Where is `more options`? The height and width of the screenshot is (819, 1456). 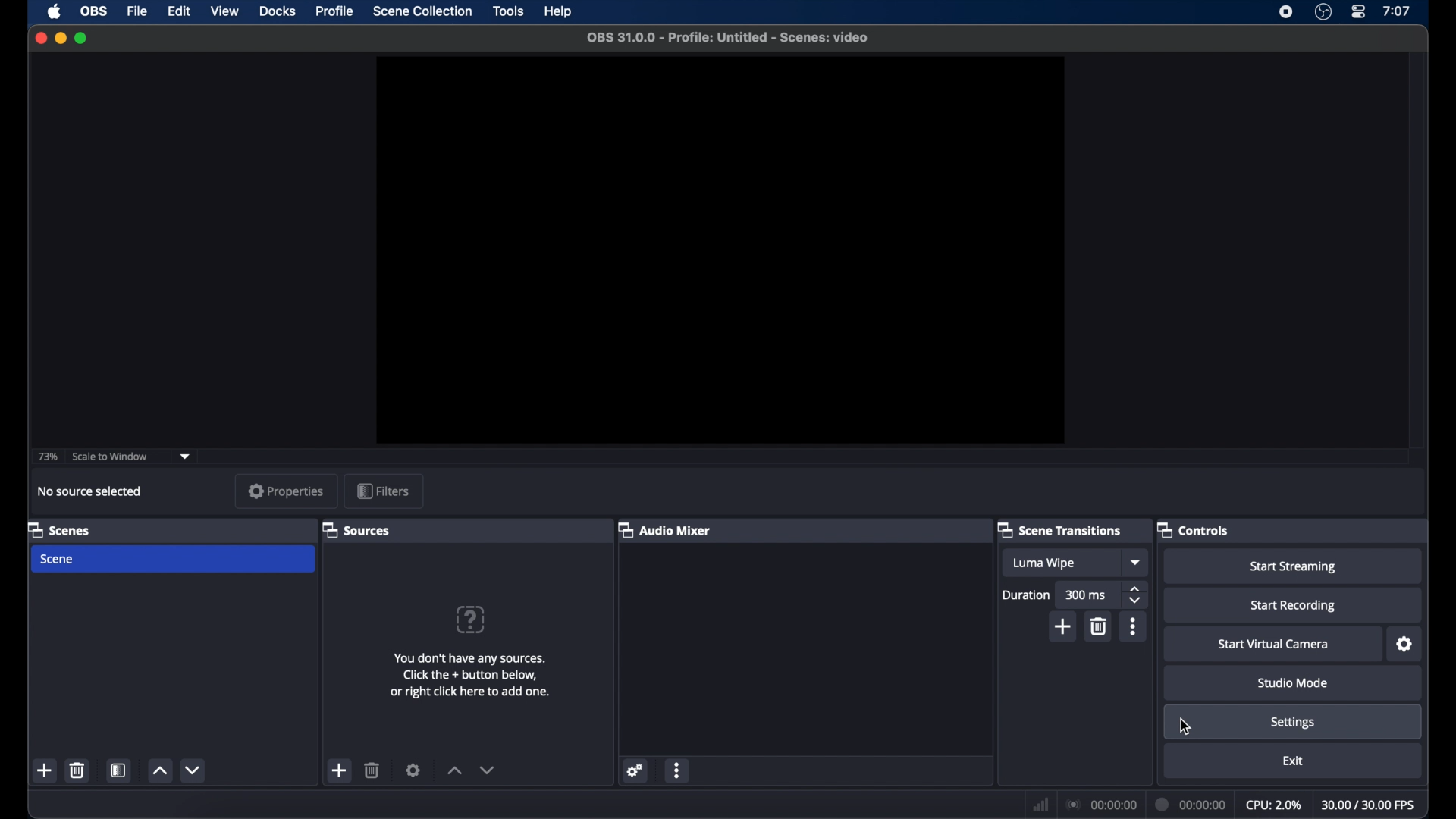
more options is located at coordinates (677, 770).